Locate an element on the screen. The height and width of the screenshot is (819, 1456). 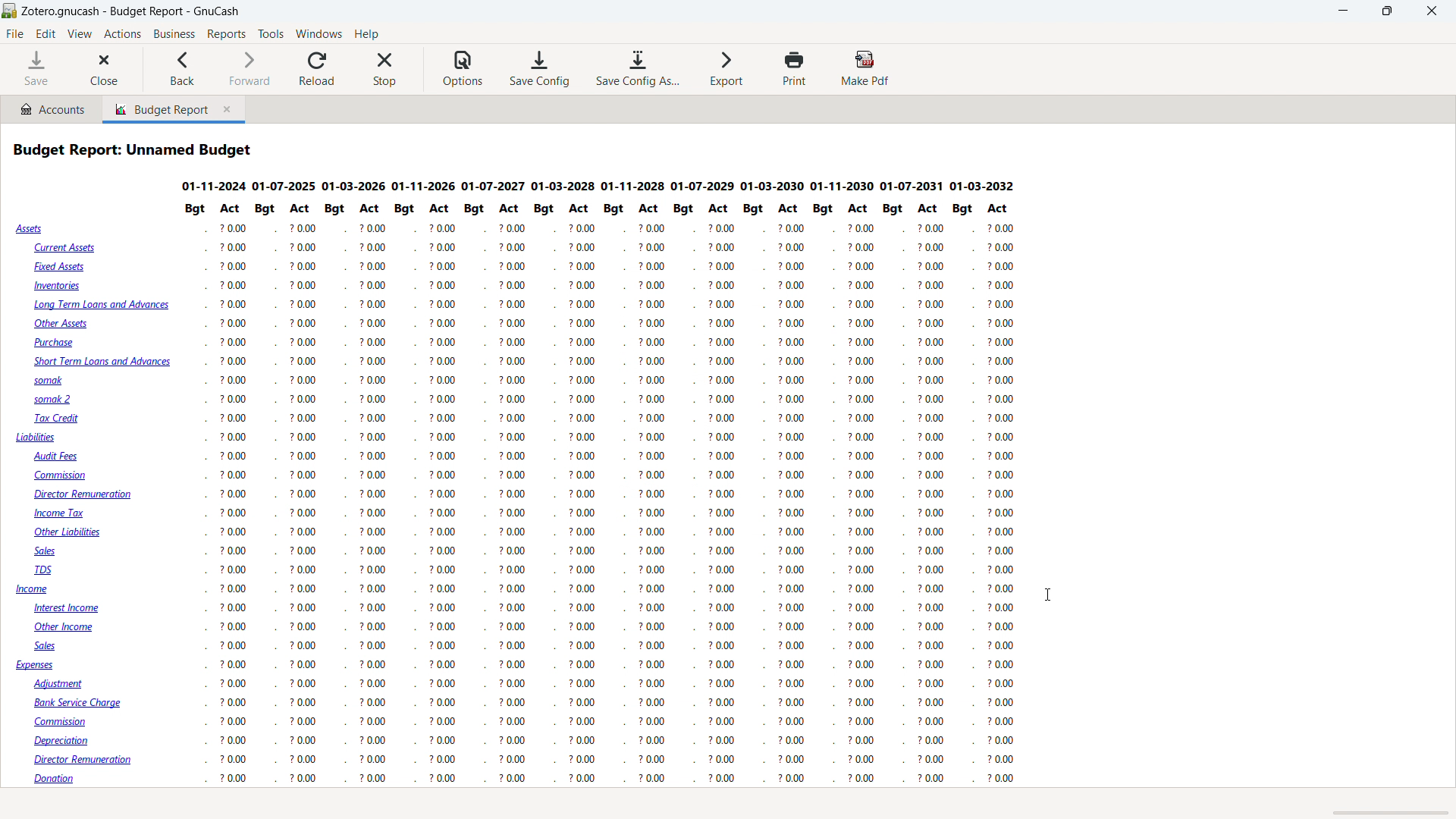
business is located at coordinates (174, 34).